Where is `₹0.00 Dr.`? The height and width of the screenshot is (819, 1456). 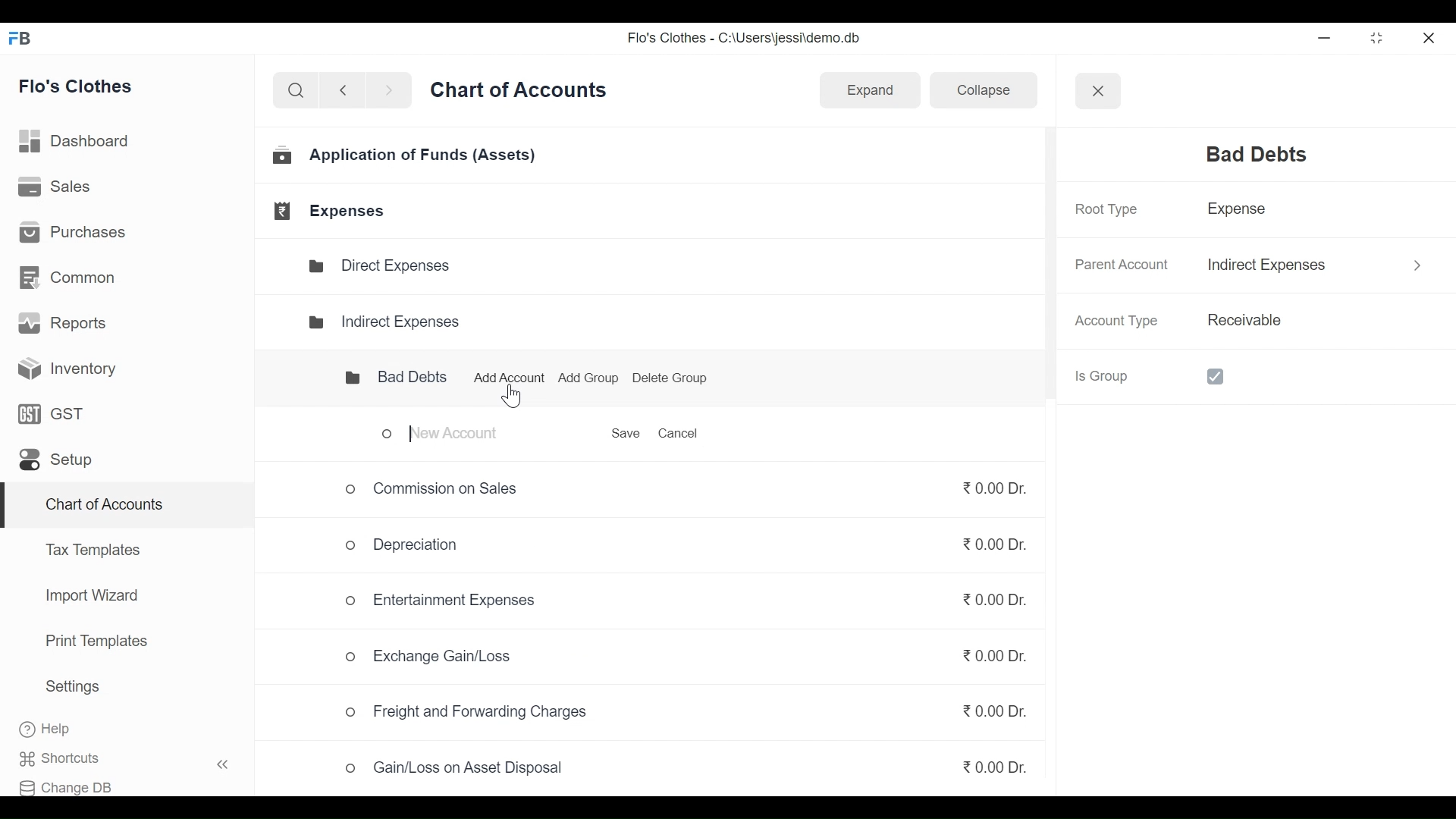 ₹0.00 Dr. is located at coordinates (990, 550).